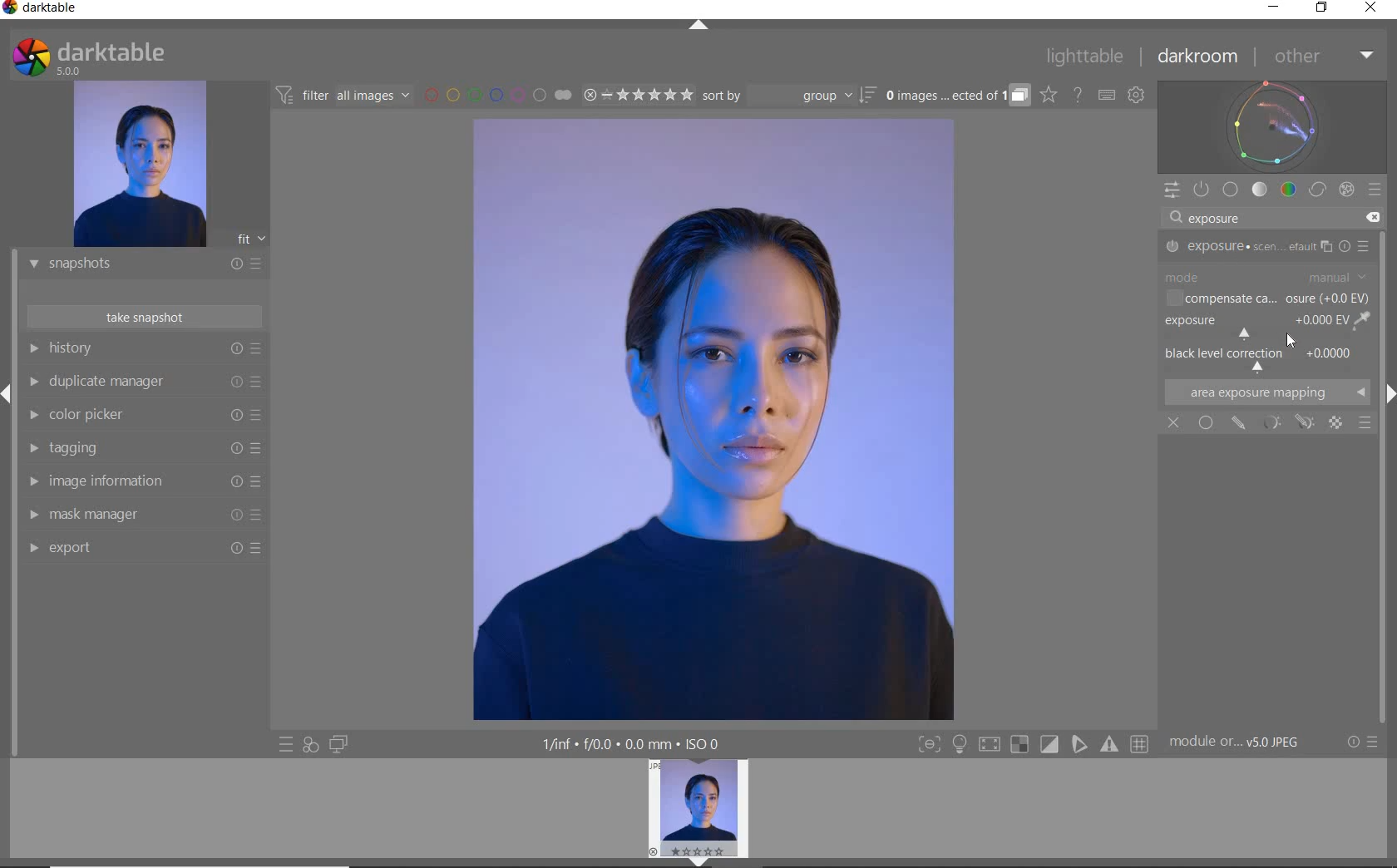 This screenshot has width=1397, height=868. I want to click on COMPENSATE CA..OSURE, so click(1266, 300).